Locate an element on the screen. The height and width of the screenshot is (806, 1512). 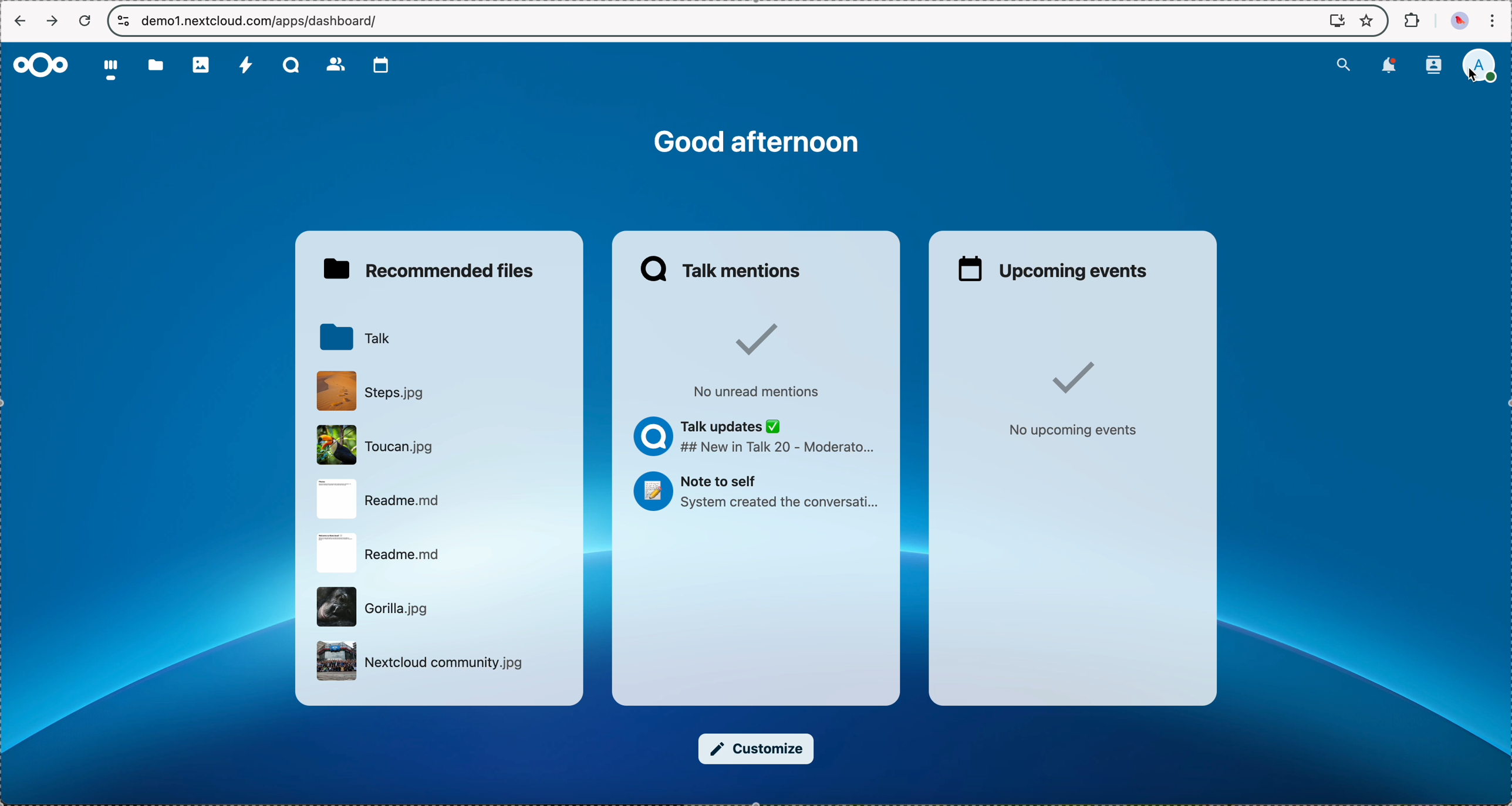
Nextcloud logo is located at coordinates (42, 64).